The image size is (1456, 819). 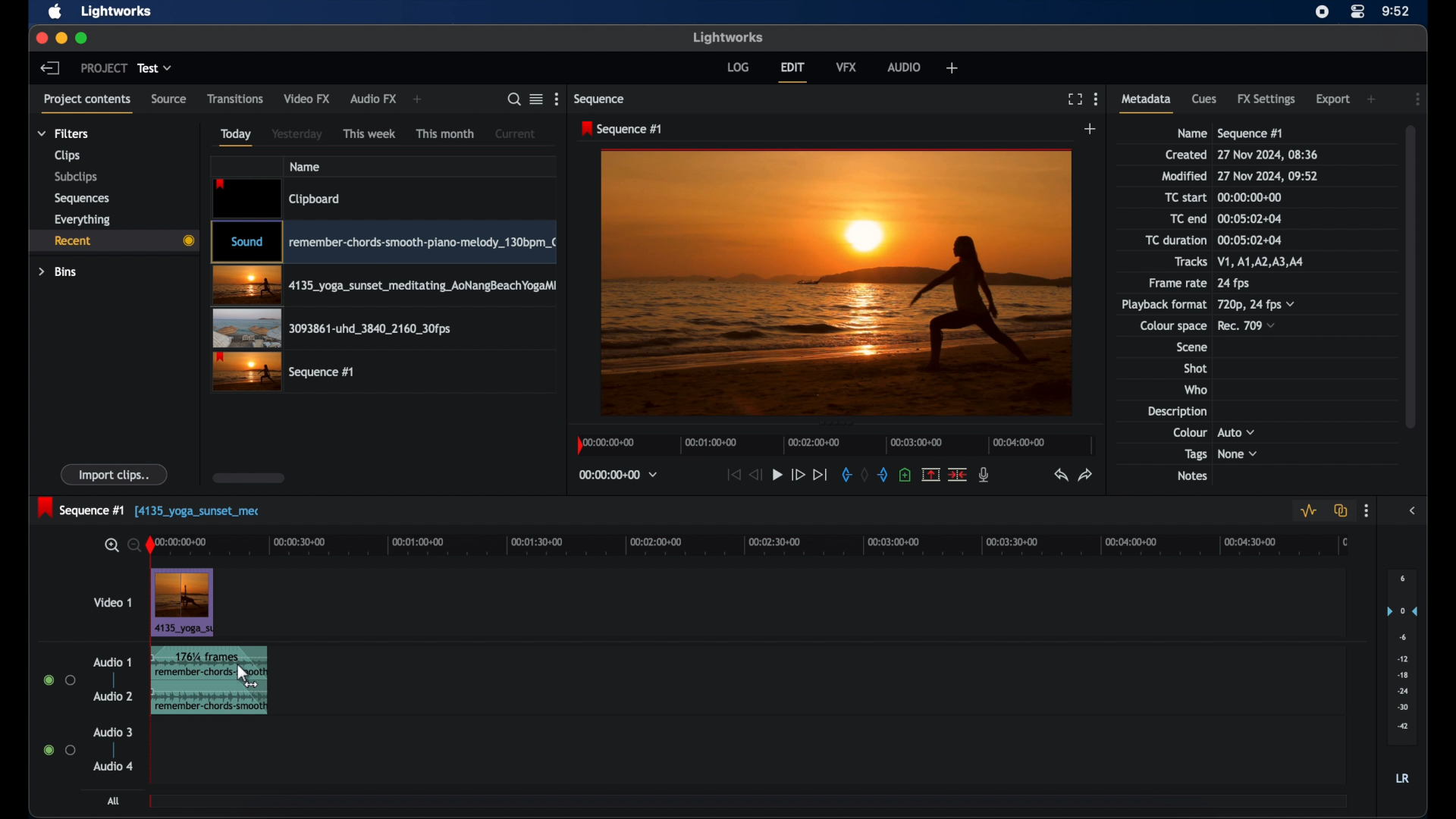 What do you see at coordinates (1323, 11) in the screenshot?
I see `screen recorder icon` at bounding box center [1323, 11].